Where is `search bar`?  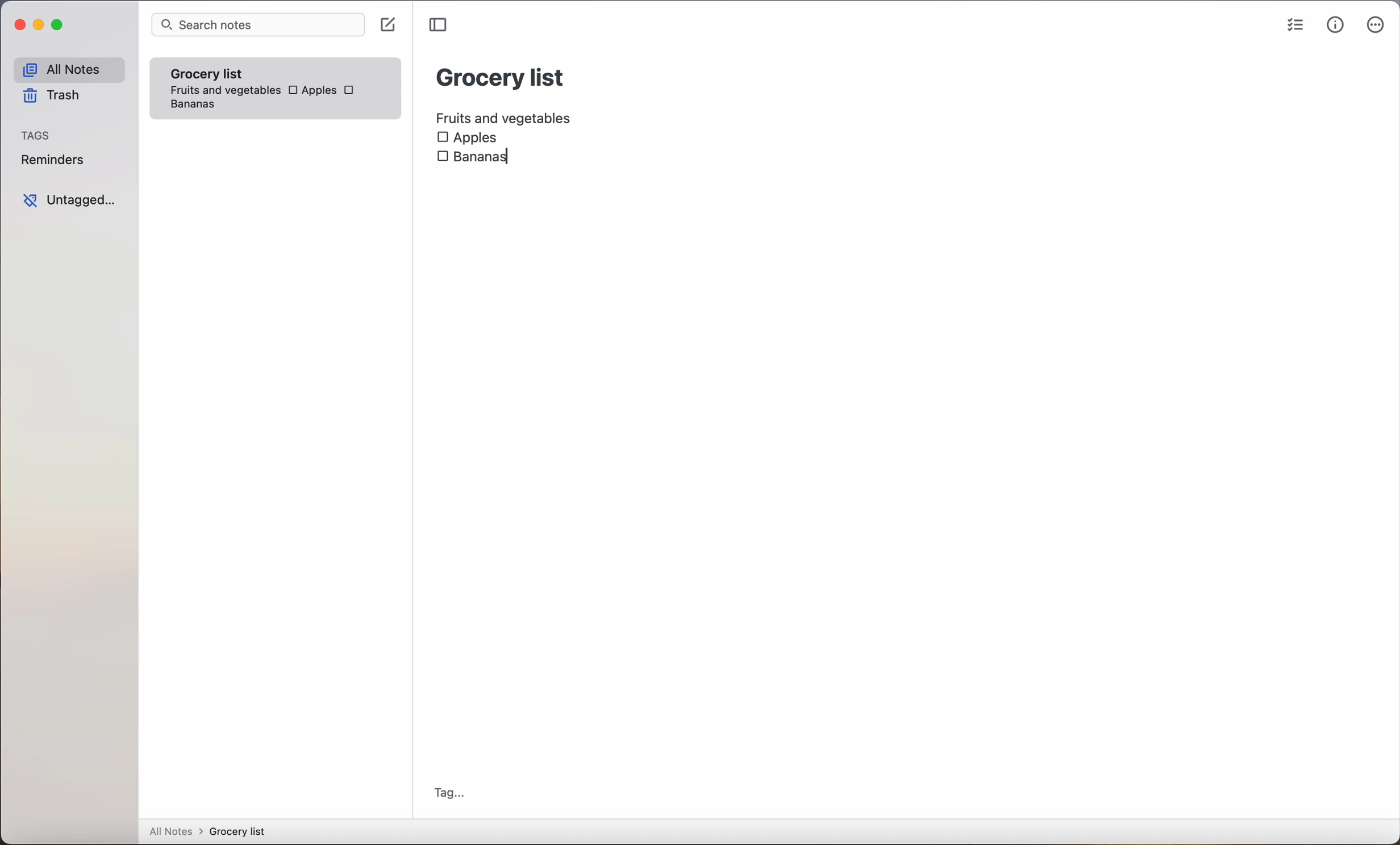
search bar is located at coordinates (257, 26).